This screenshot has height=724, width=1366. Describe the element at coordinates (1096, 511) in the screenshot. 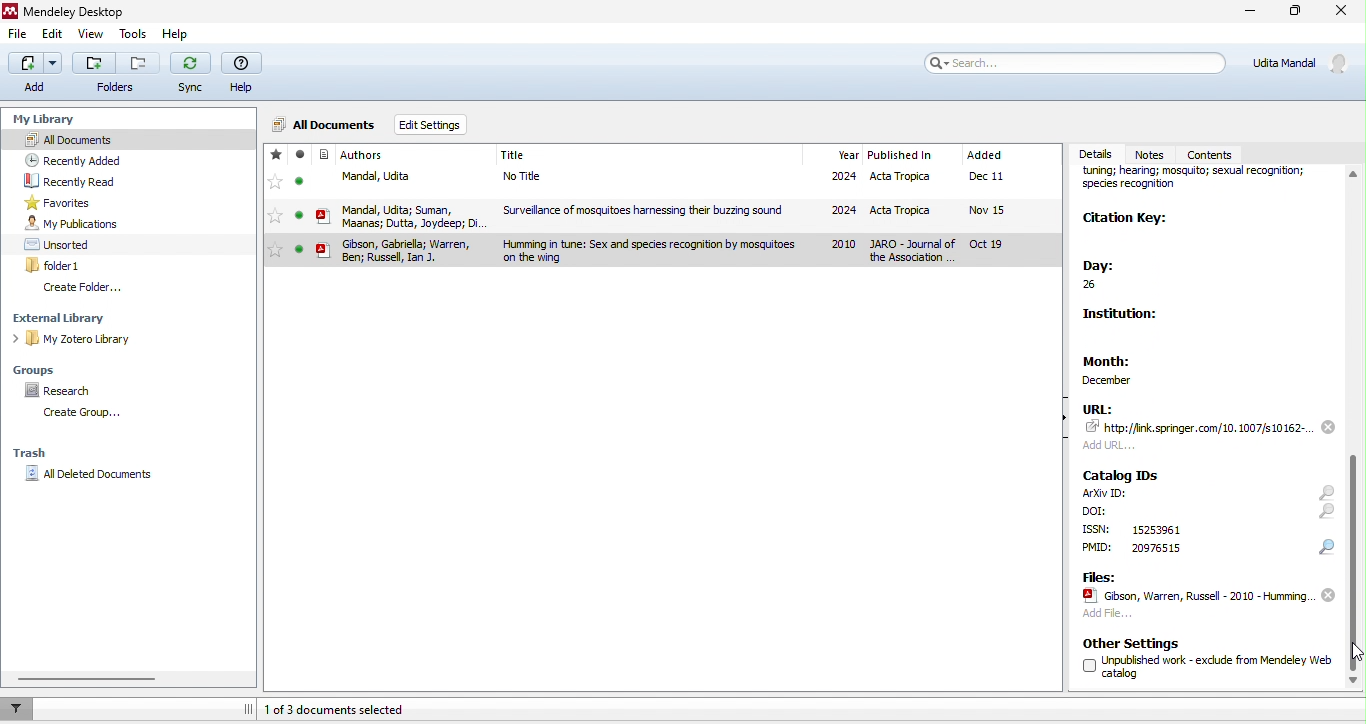

I see `text` at that location.